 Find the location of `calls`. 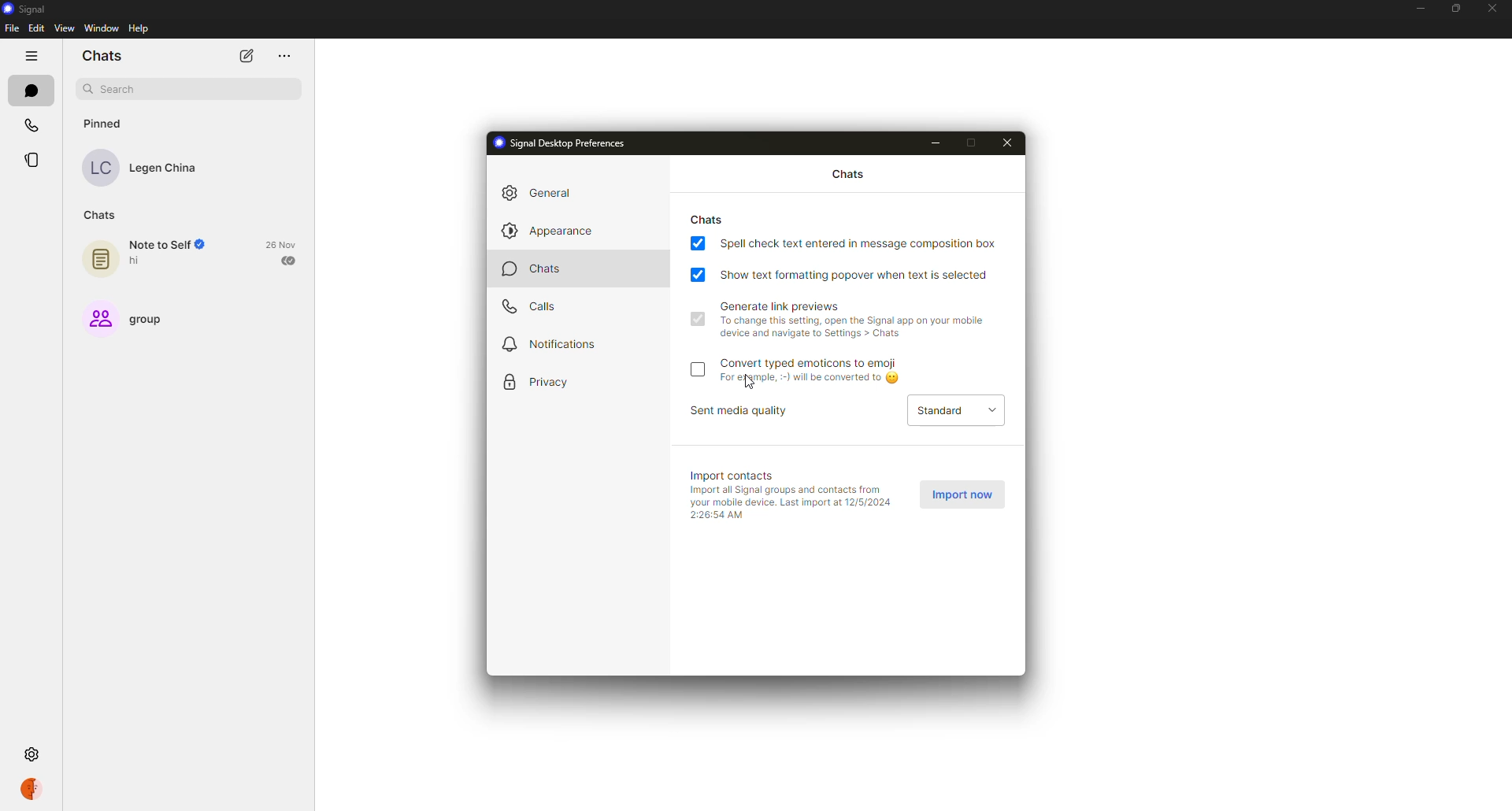

calls is located at coordinates (530, 308).